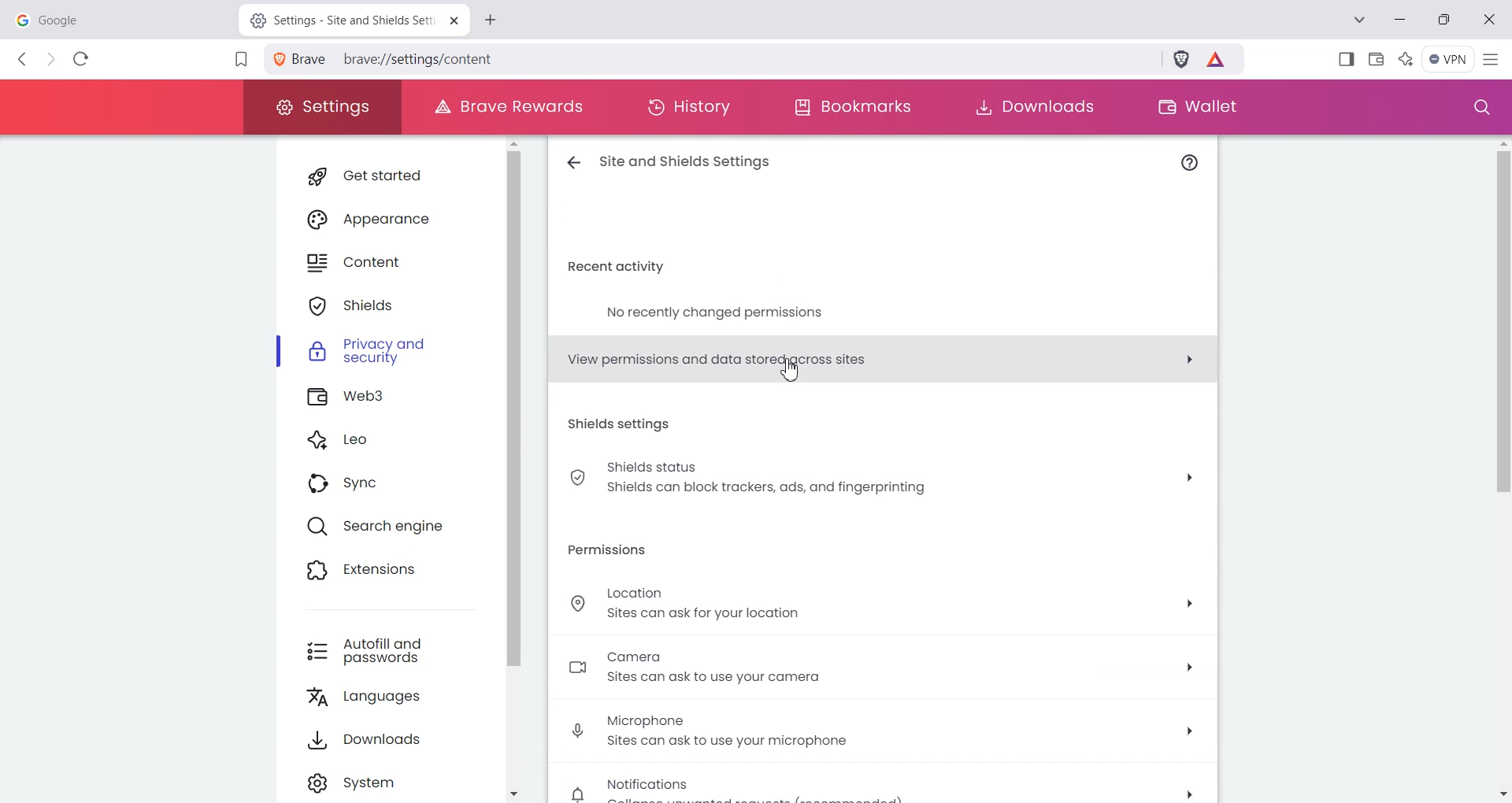  What do you see at coordinates (302, 59) in the screenshot?
I see `View site information` at bounding box center [302, 59].